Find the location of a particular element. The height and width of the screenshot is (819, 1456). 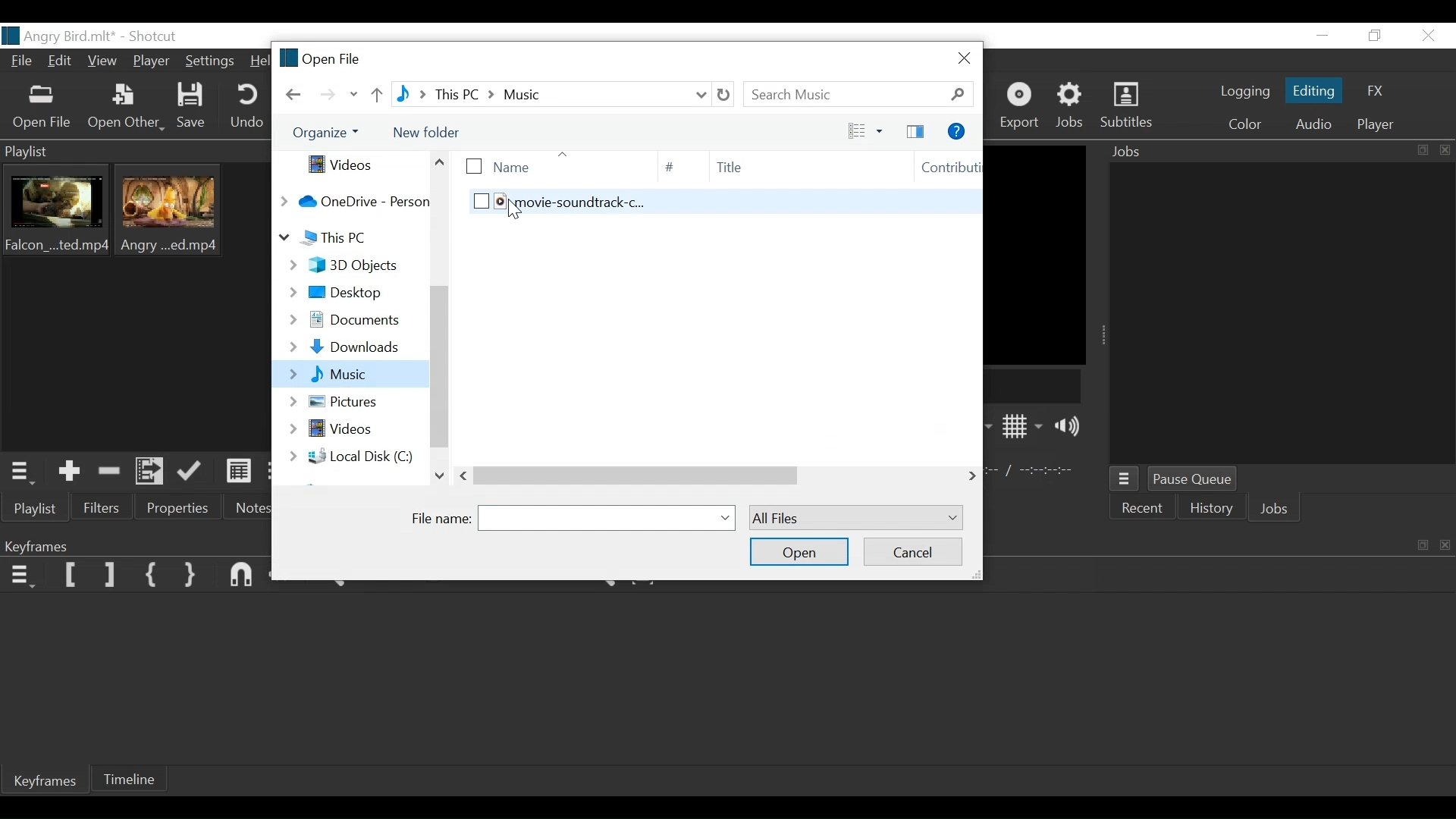

Jobs is located at coordinates (1277, 509).